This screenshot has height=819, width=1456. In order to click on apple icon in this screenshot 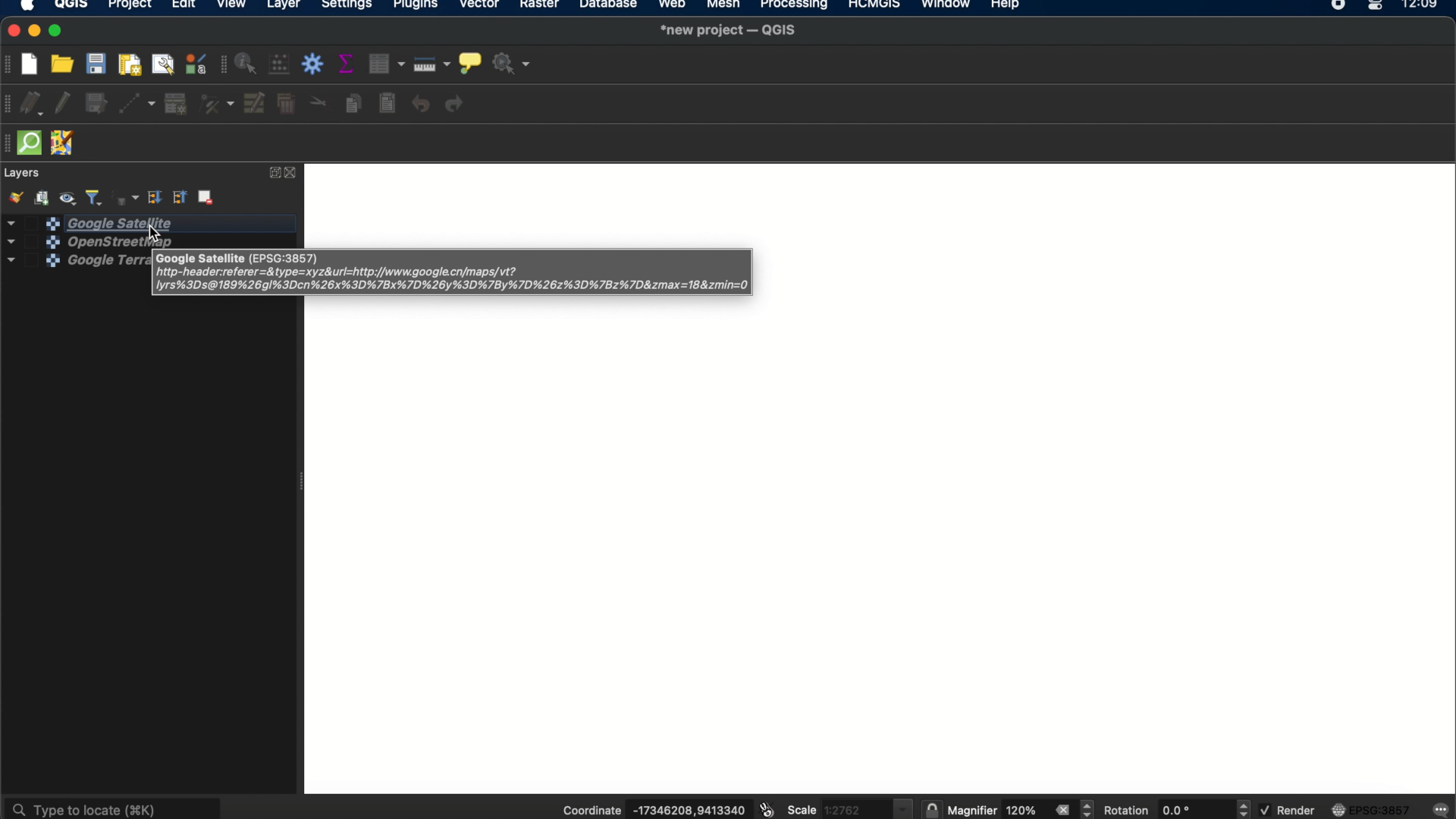, I will do `click(33, 7)`.